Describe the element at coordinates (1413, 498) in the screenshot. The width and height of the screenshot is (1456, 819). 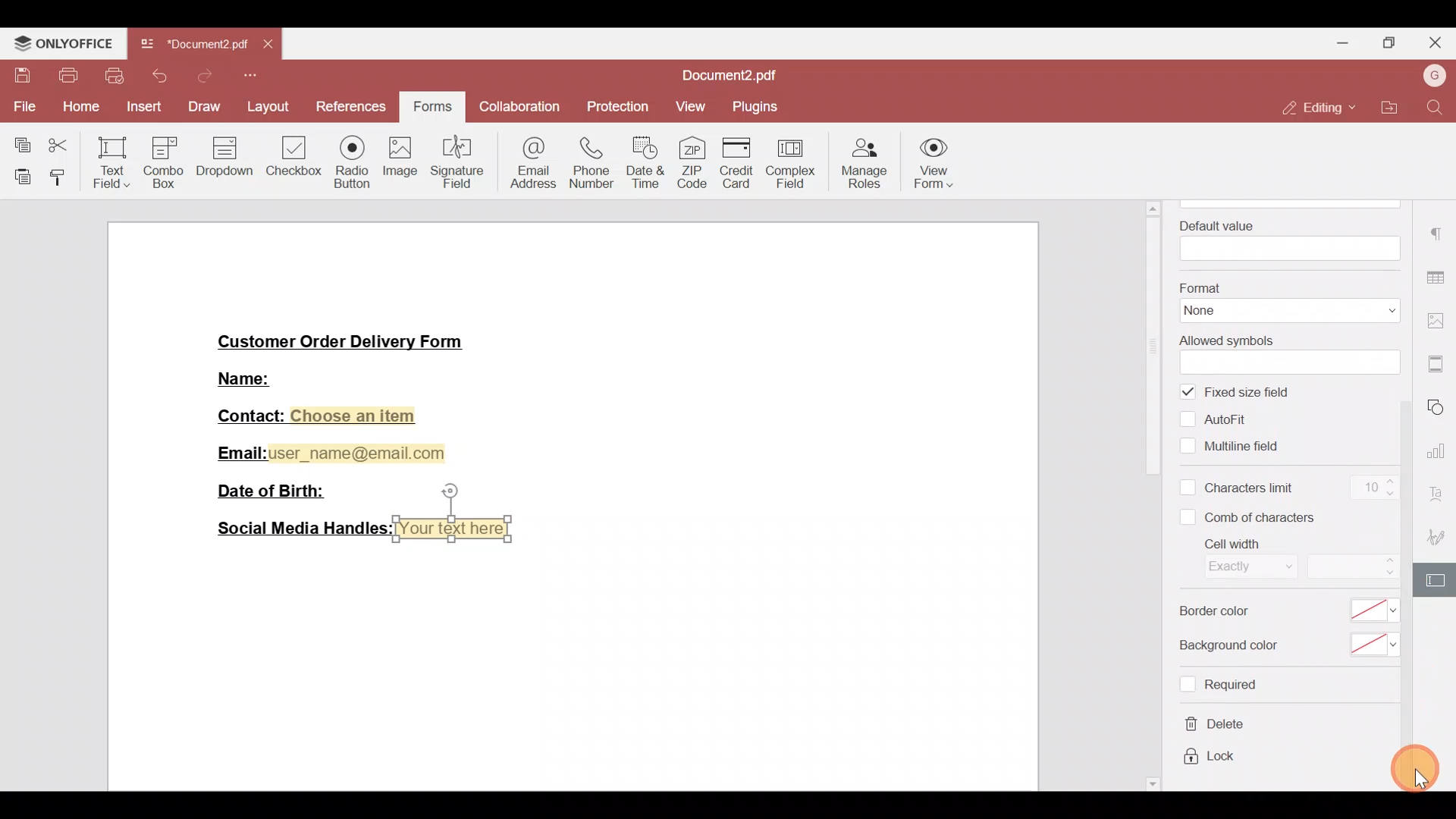
I see `Scroll bar` at that location.